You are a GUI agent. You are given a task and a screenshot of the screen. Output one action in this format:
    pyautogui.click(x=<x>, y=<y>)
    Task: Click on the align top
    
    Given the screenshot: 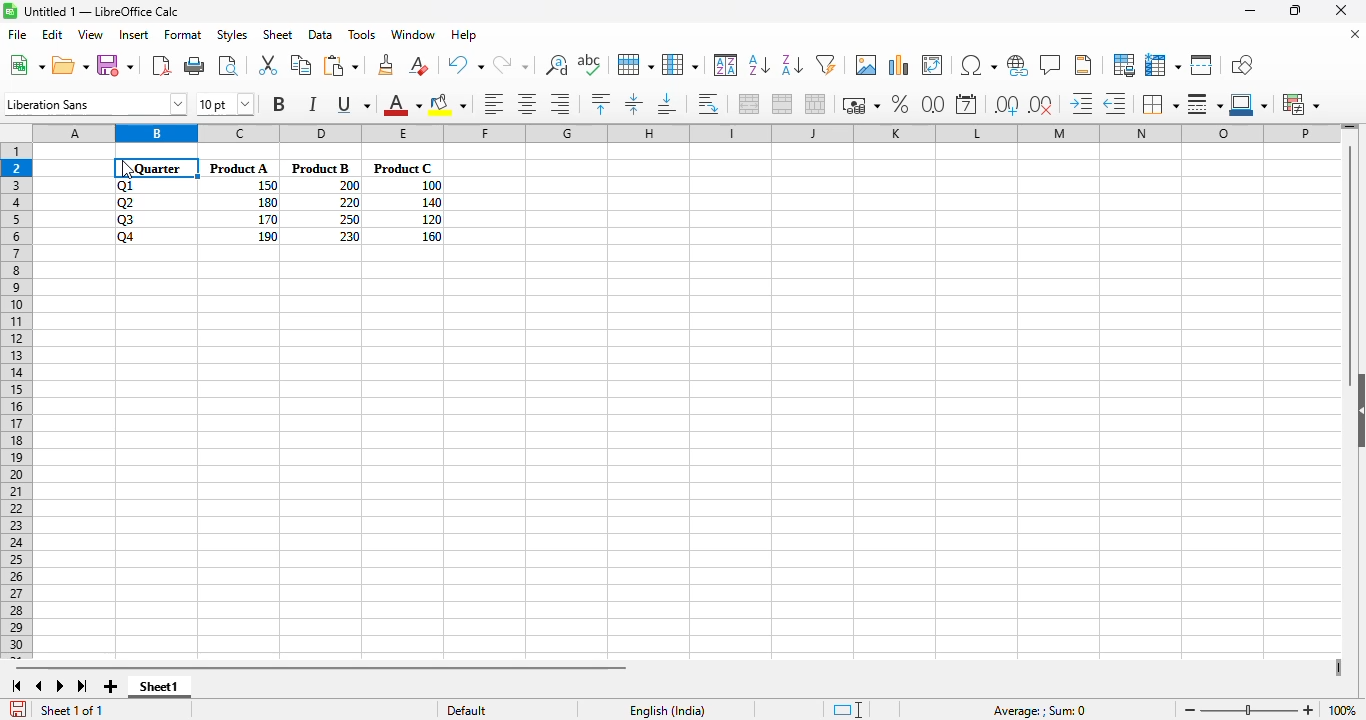 What is the action you would take?
    pyautogui.click(x=600, y=103)
    